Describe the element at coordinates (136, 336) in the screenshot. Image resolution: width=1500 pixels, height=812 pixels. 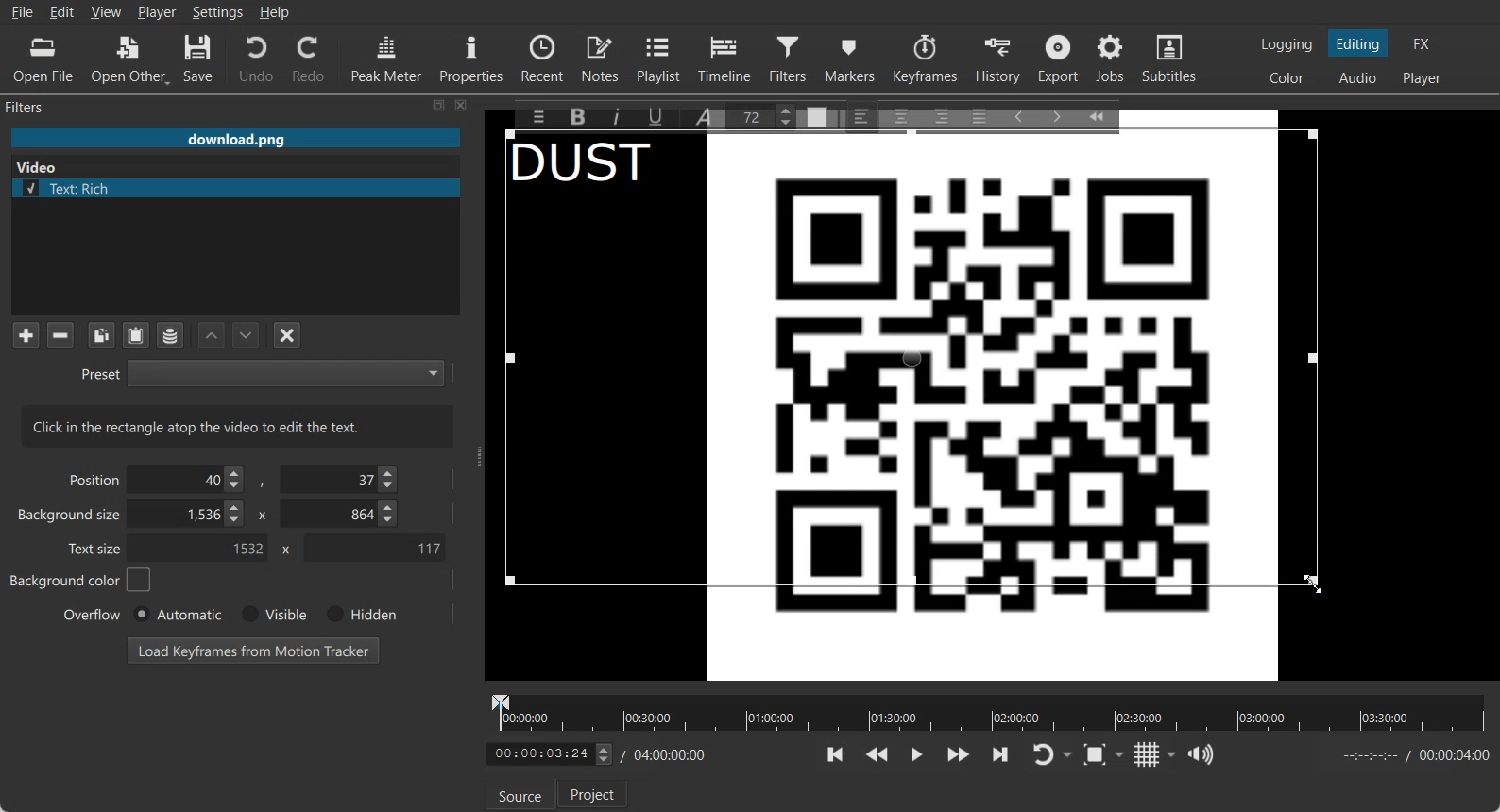
I see `Paste Filters` at that location.